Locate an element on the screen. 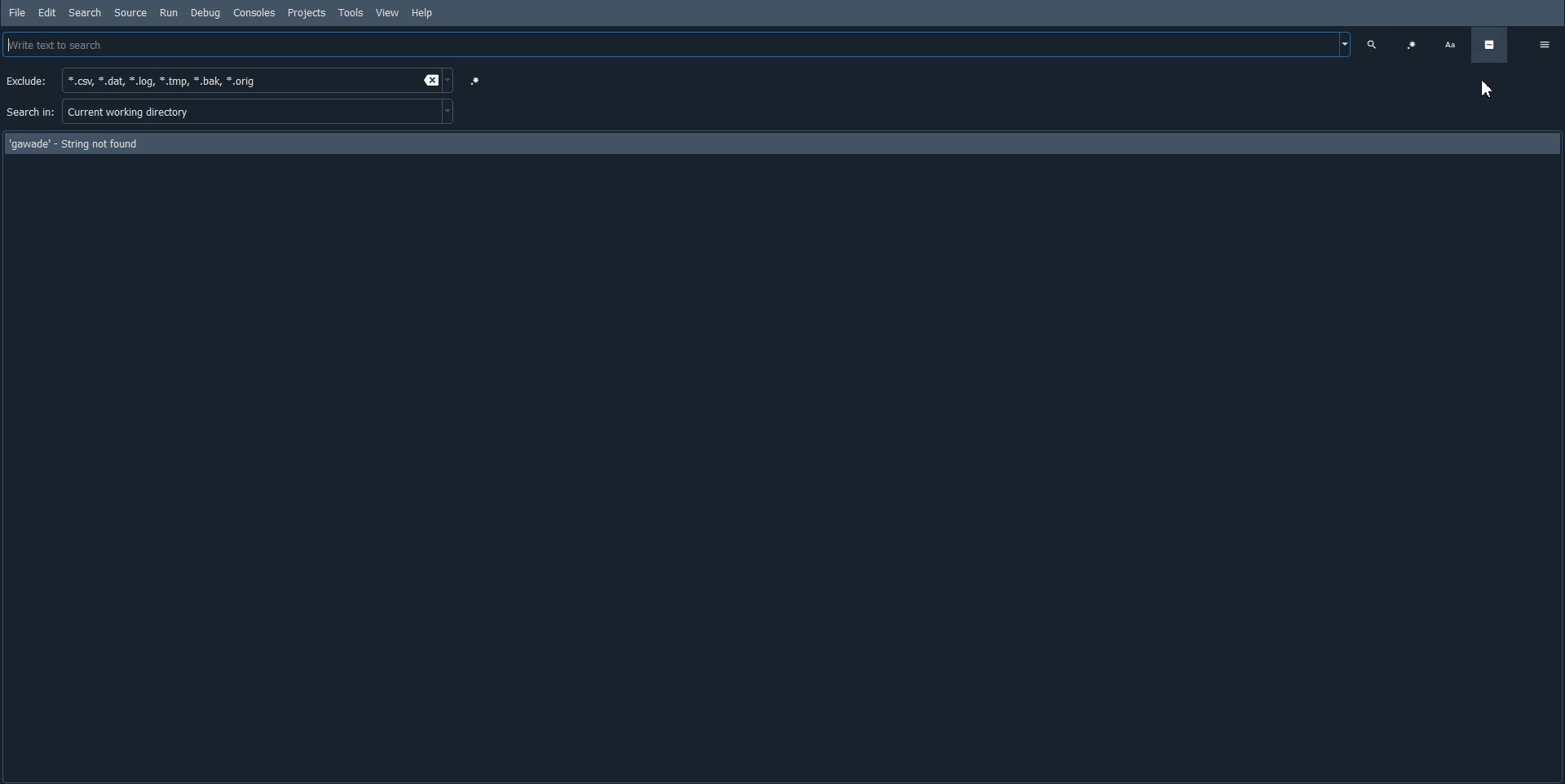 The width and height of the screenshot is (1565, 784). Search in is located at coordinates (30, 112).